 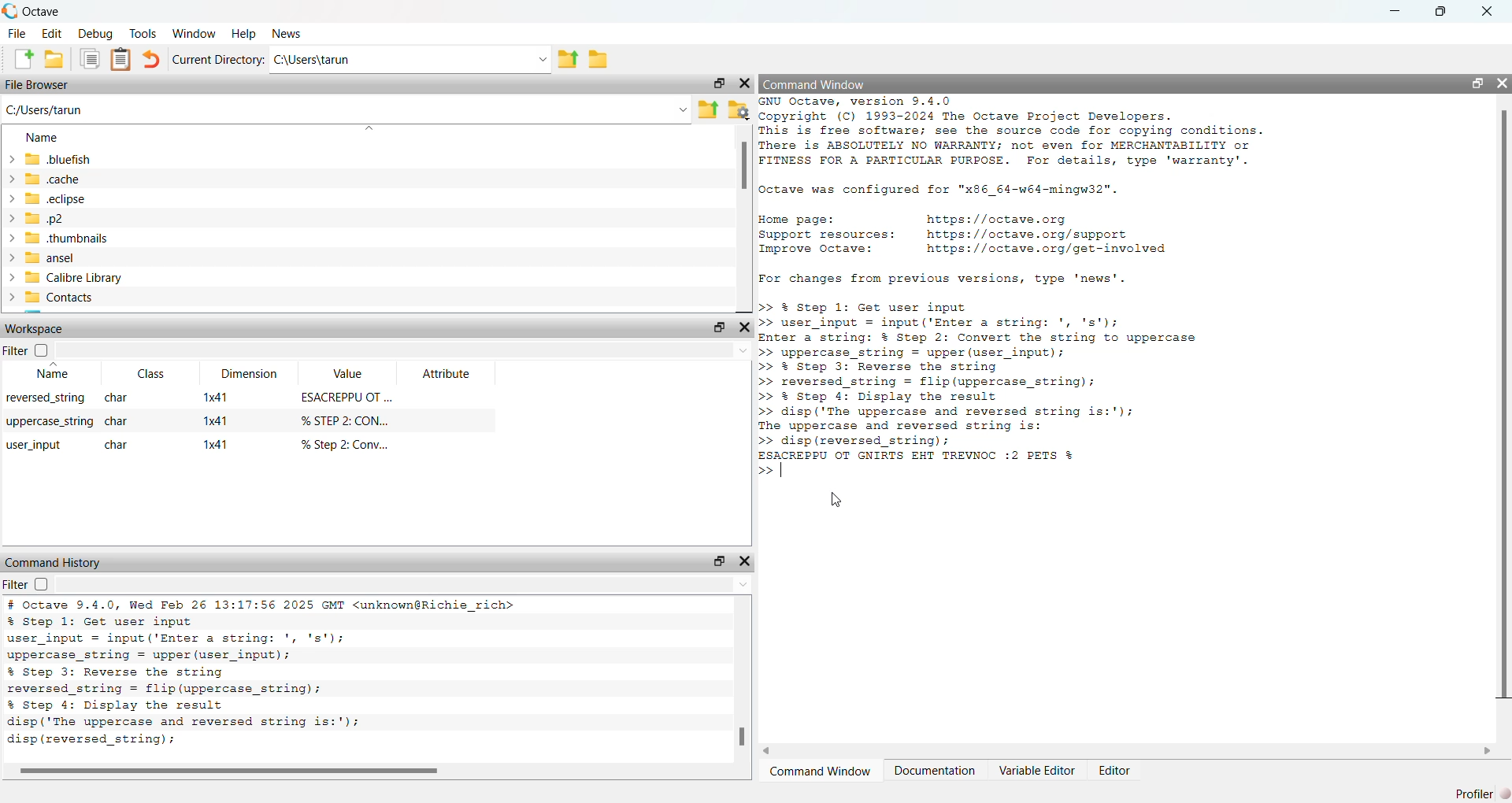 I want to click on .p2, so click(x=88, y=220).